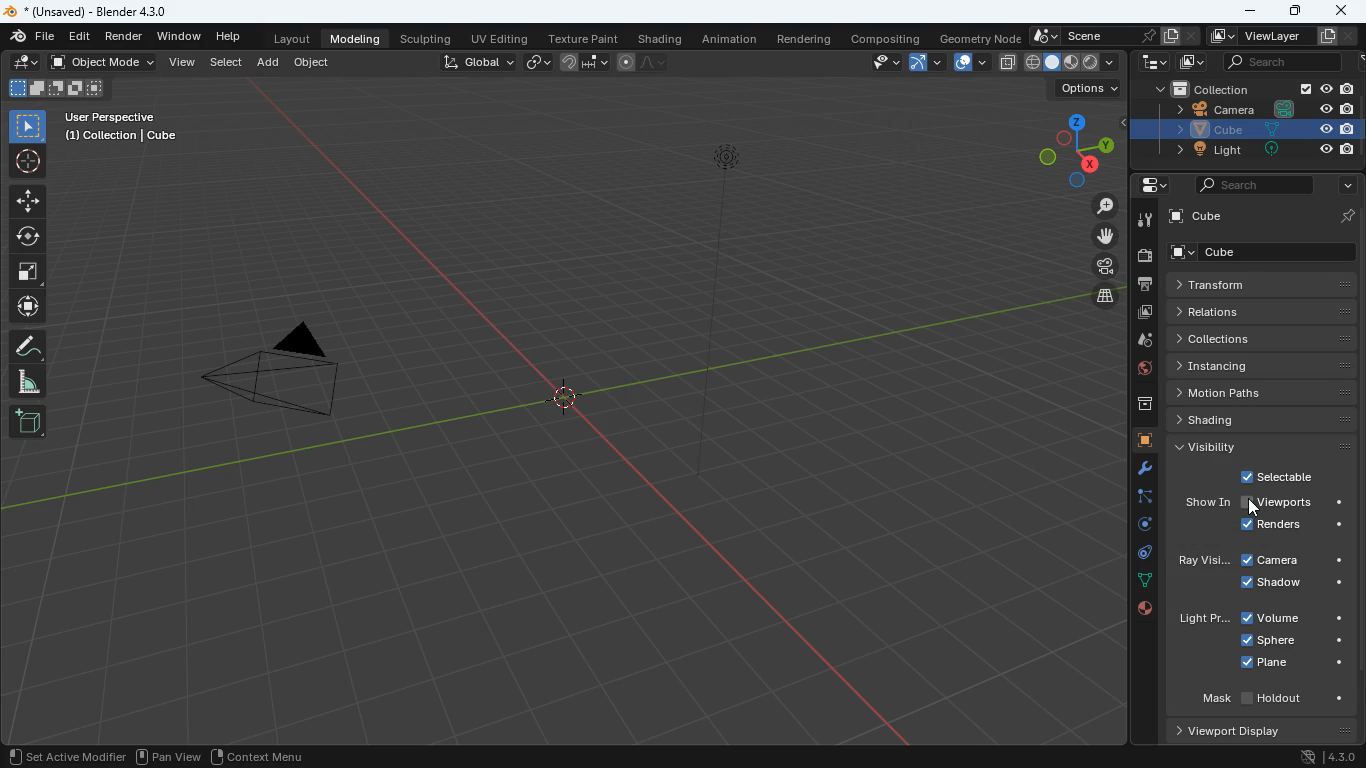 This screenshot has width=1366, height=768. I want to click on minimize, so click(1246, 12).